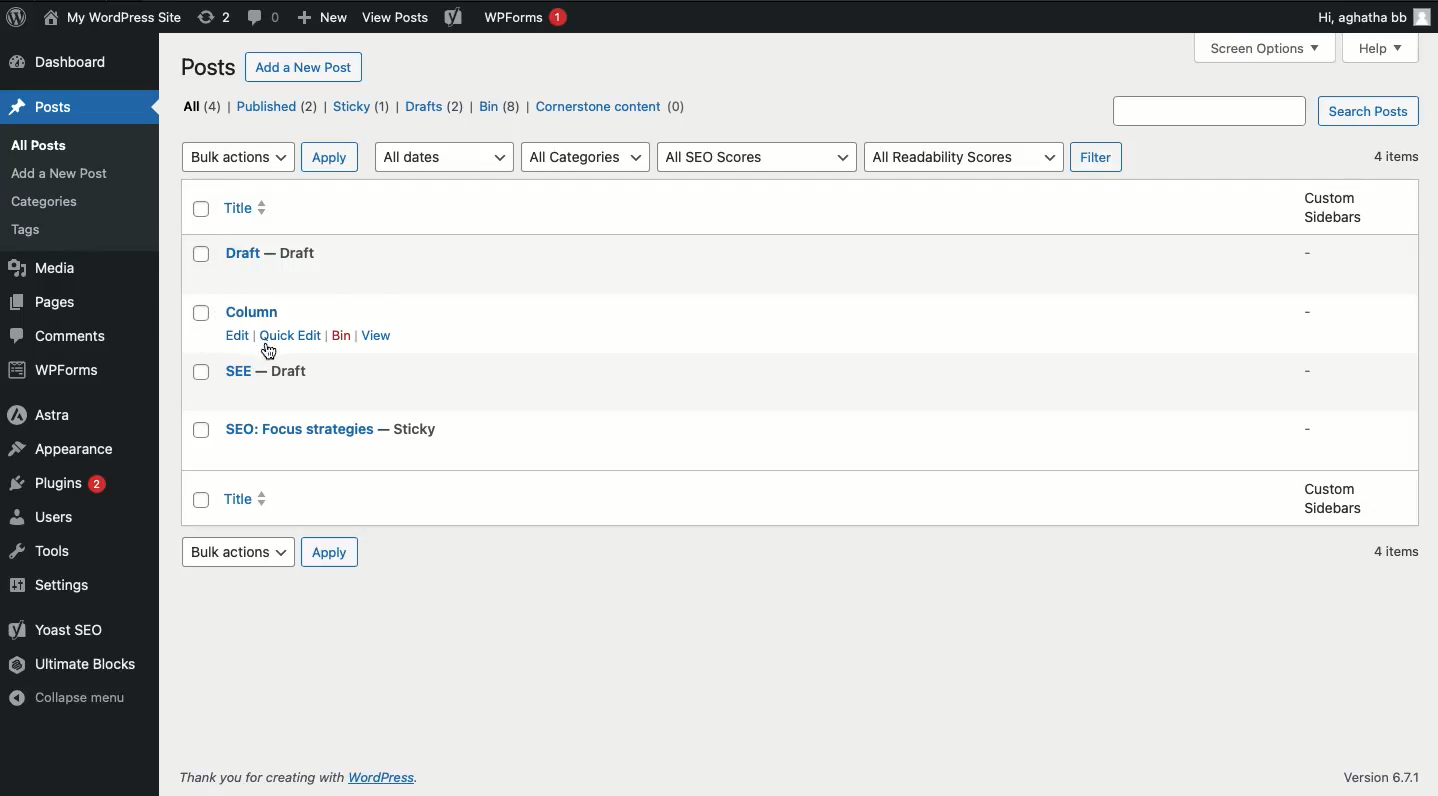 Image resolution: width=1438 pixels, height=796 pixels. I want to click on , so click(379, 779).